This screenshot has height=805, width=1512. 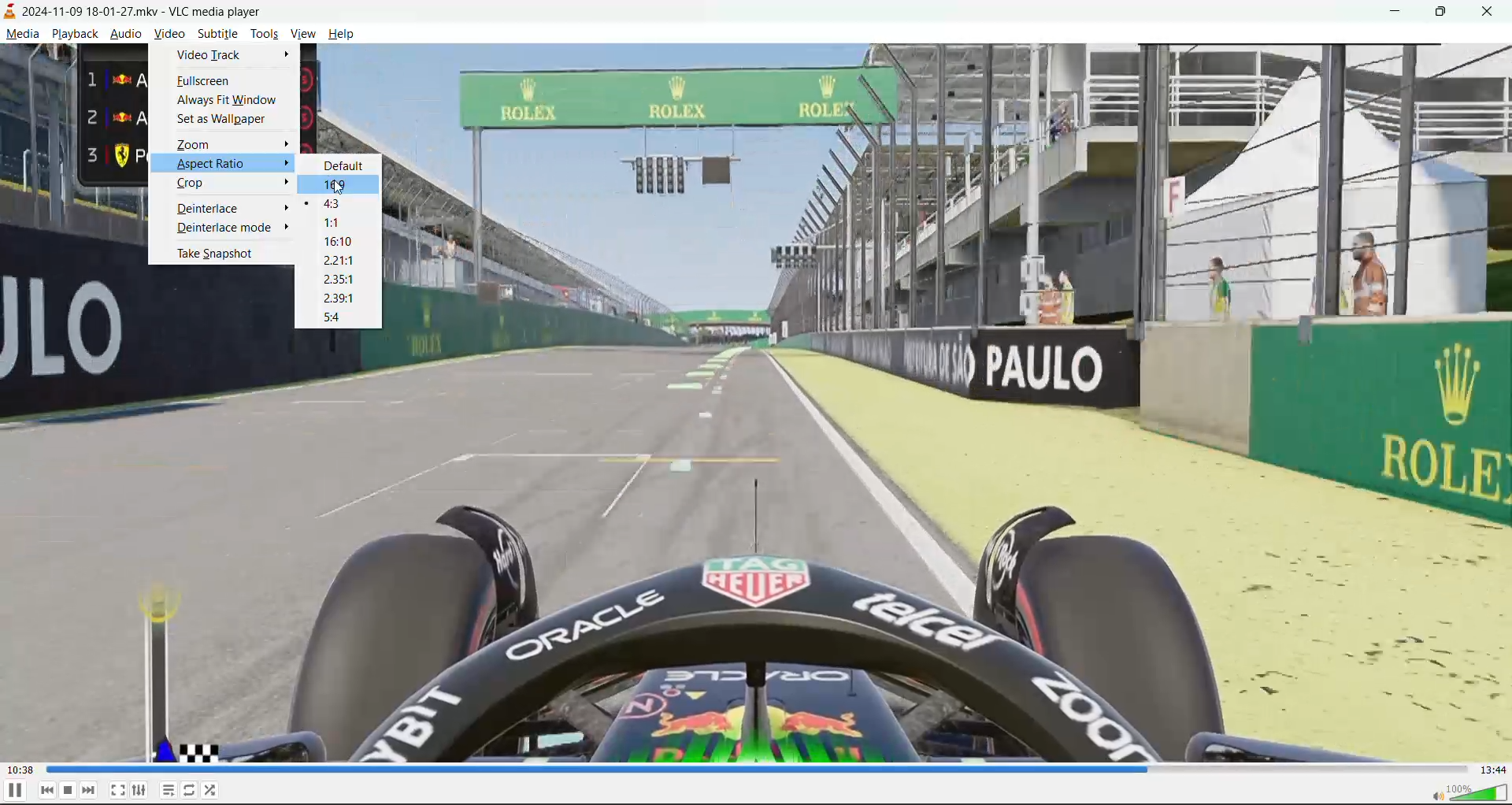 What do you see at coordinates (346, 184) in the screenshot?
I see `16:9` at bounding box center [346, 184].